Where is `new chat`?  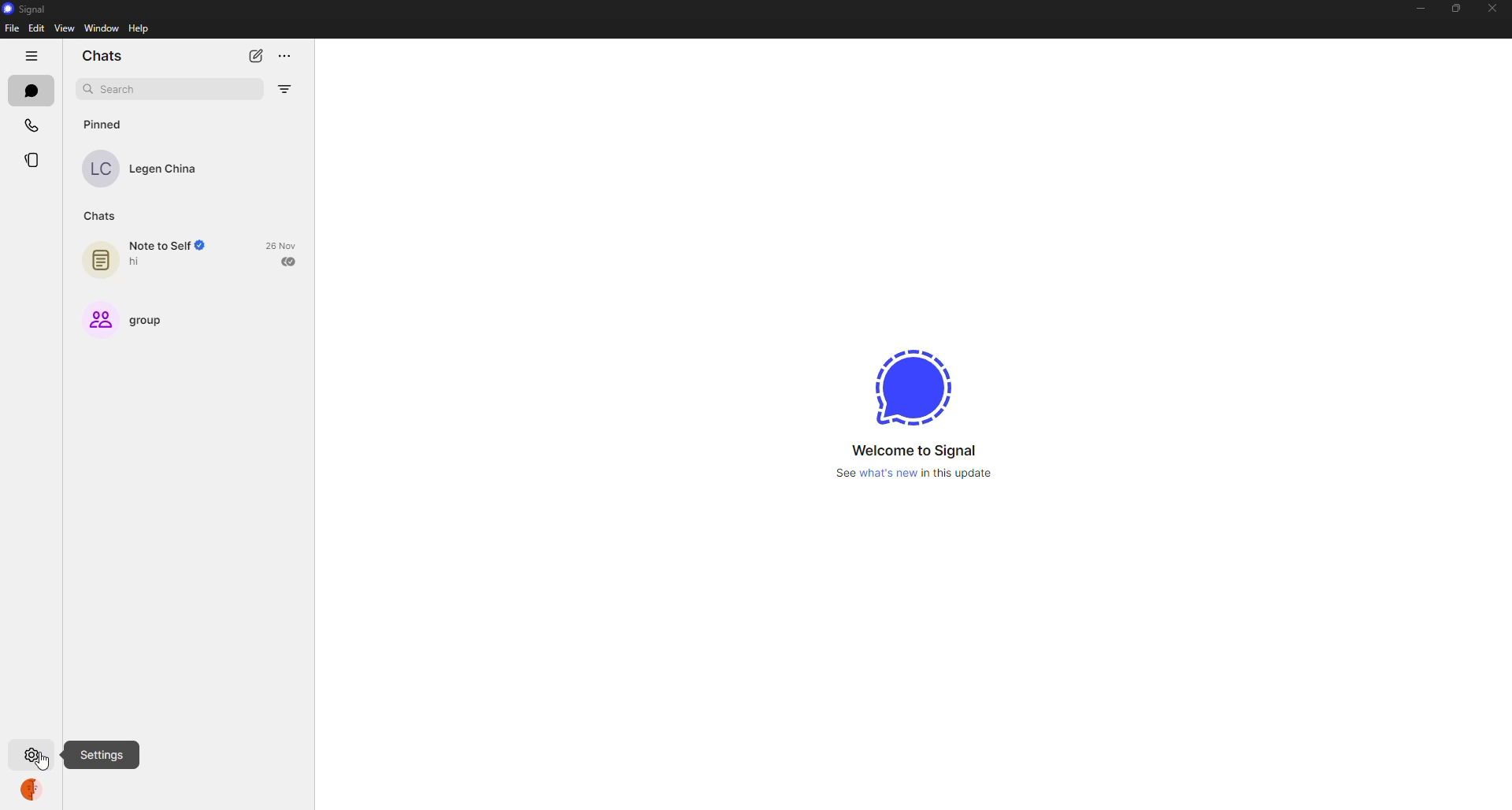
new chat is located at coordinates (252, 55).